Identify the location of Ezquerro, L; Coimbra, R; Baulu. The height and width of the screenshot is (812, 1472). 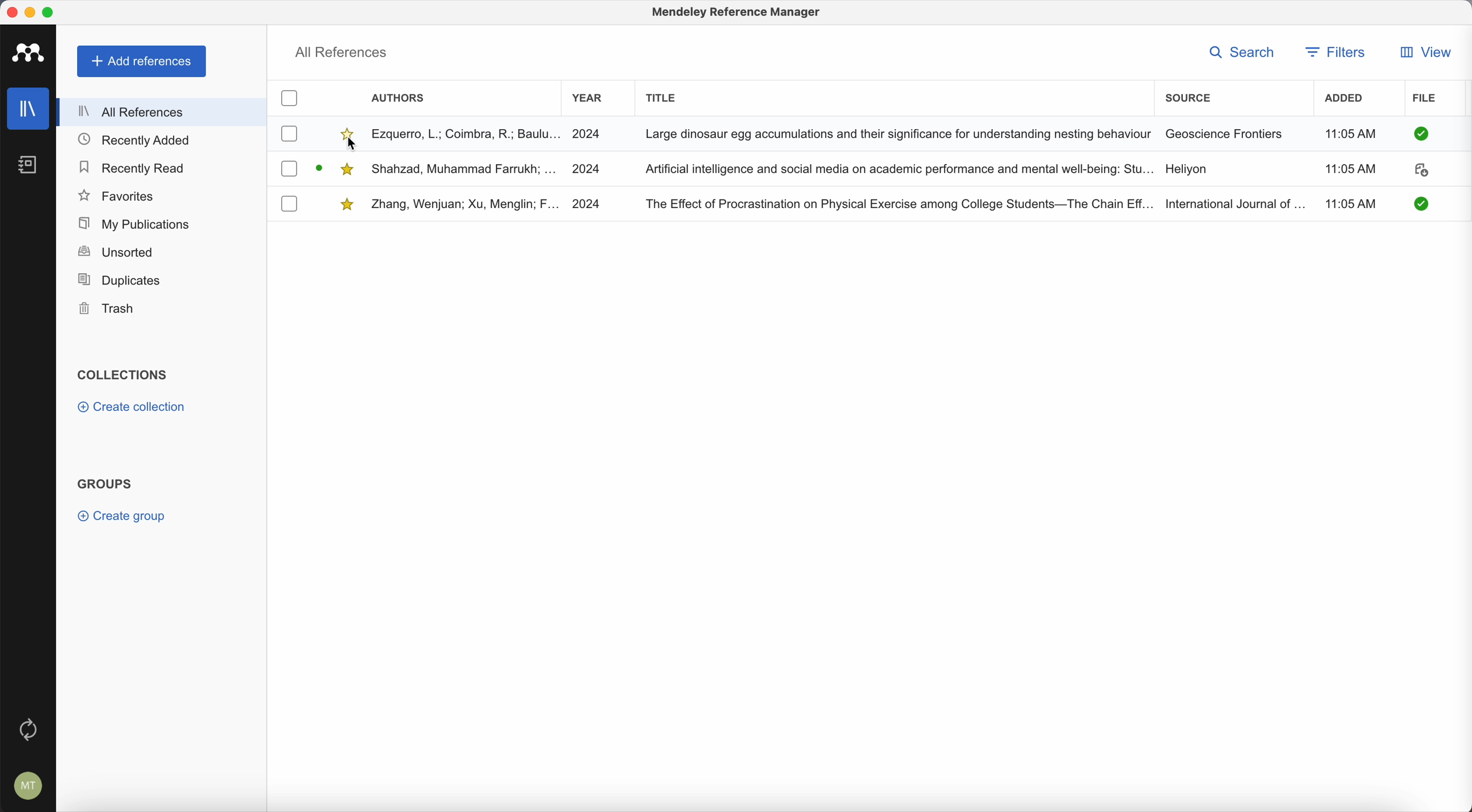
(466, 133).